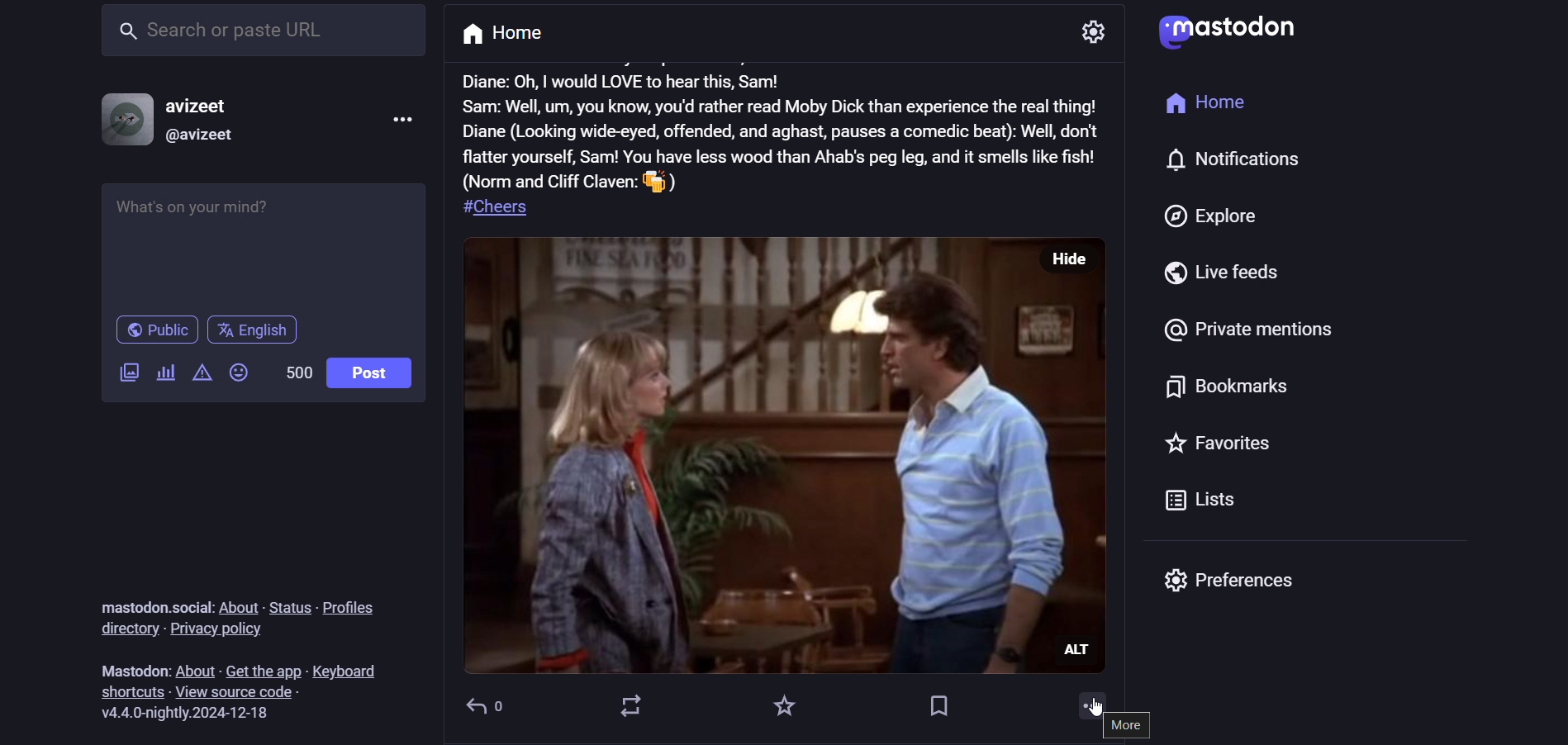 This screenshot has width=1568, height=745. What do you see at coordinates (1073, 652) in the screenshot?
I see `ALt` at bounding box center [1073, 652].